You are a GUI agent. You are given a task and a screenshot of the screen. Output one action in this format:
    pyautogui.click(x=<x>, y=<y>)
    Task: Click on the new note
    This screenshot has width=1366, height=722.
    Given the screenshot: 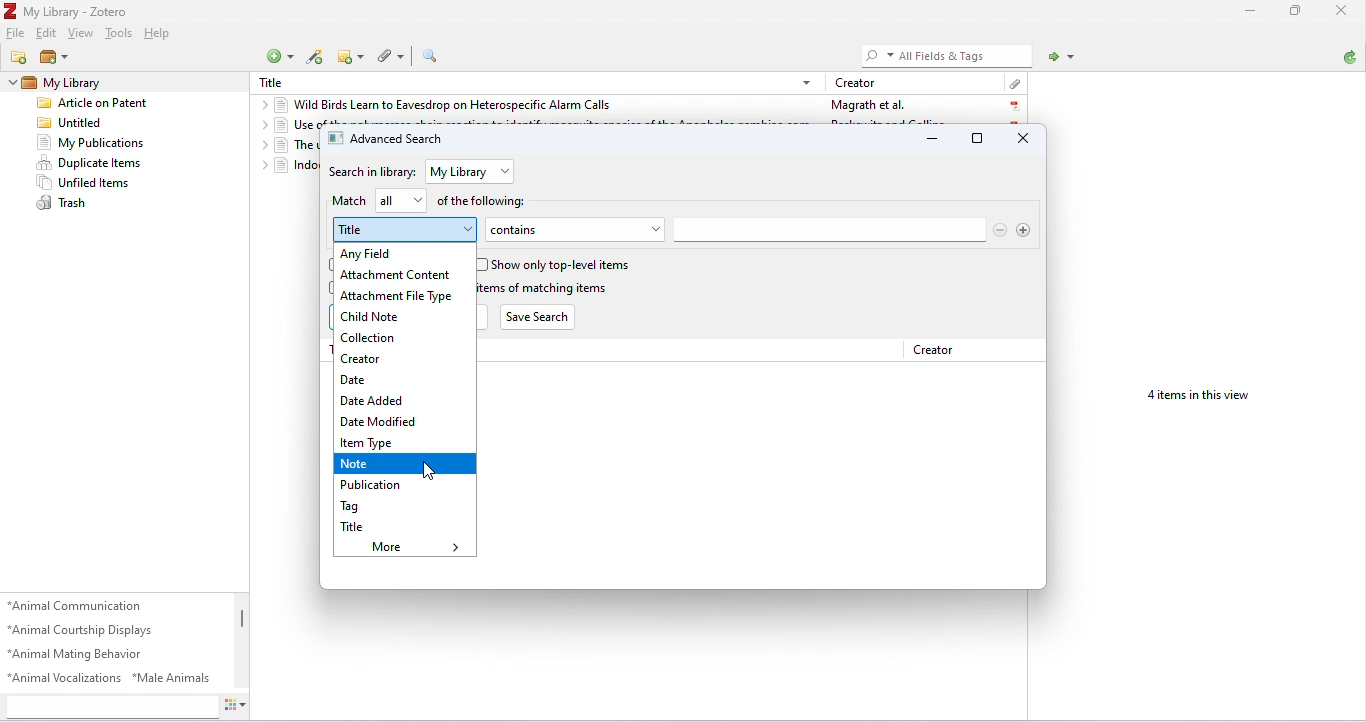 What is the action you would take?
    pyautogui.click(x=351, y=56)
    